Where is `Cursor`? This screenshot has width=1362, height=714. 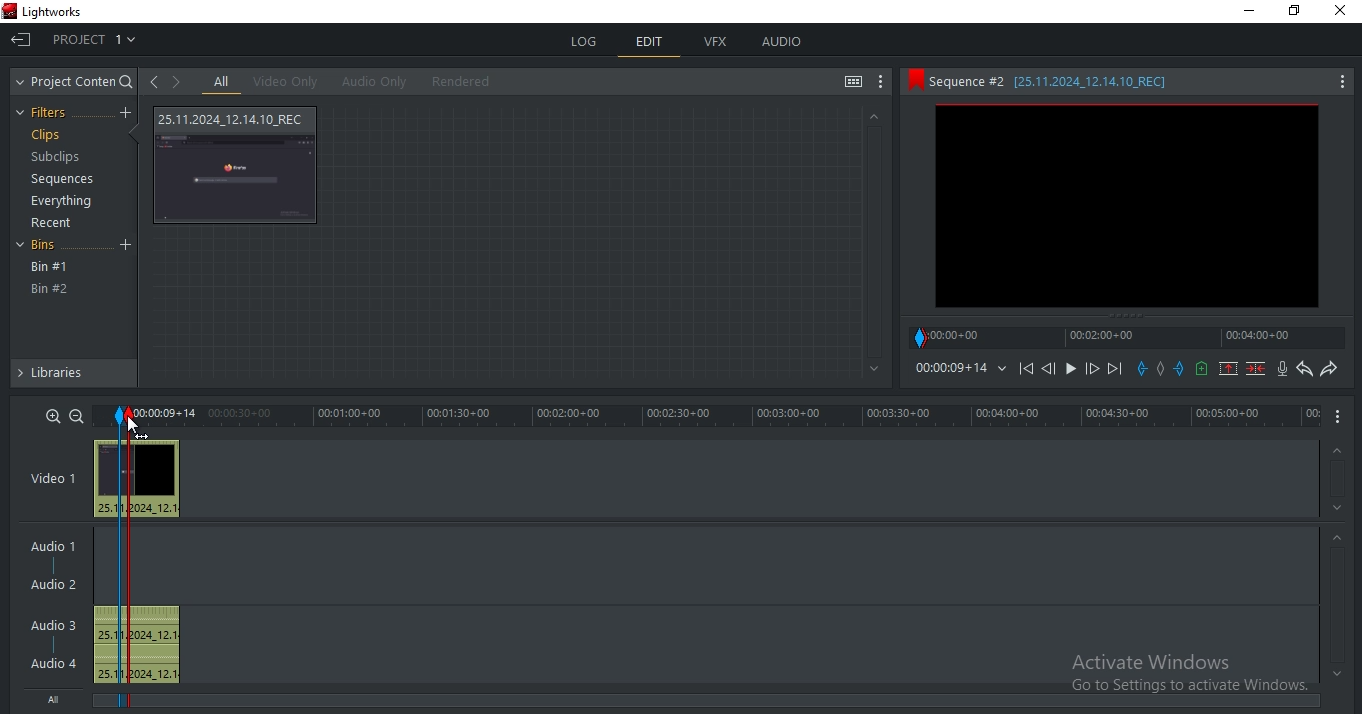 Cursor is located at coordinates (136, 425).